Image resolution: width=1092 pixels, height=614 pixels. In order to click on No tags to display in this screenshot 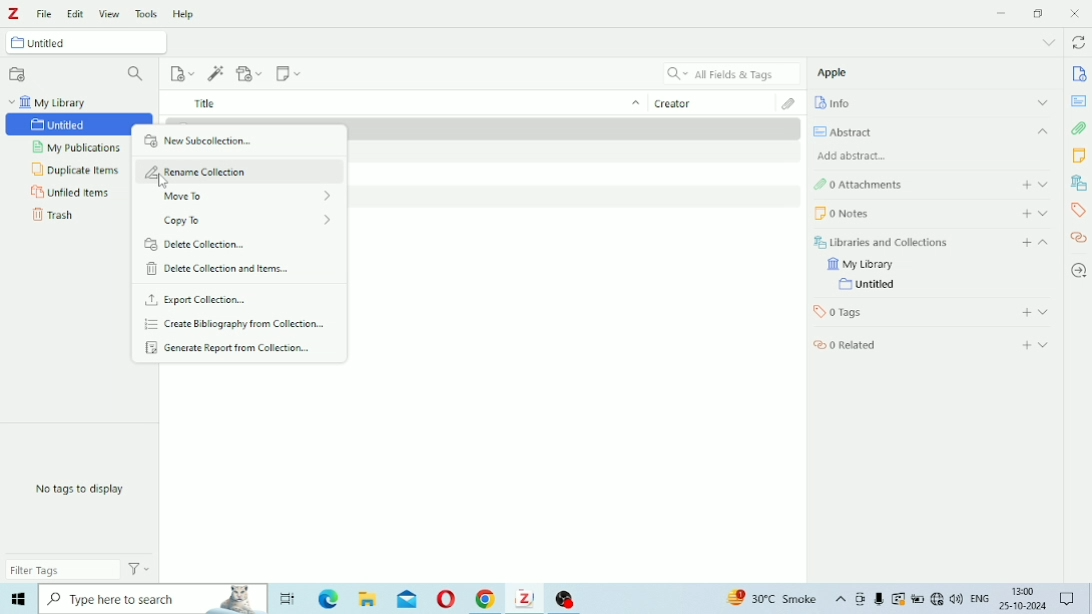, I will do `click(81, 488)`.